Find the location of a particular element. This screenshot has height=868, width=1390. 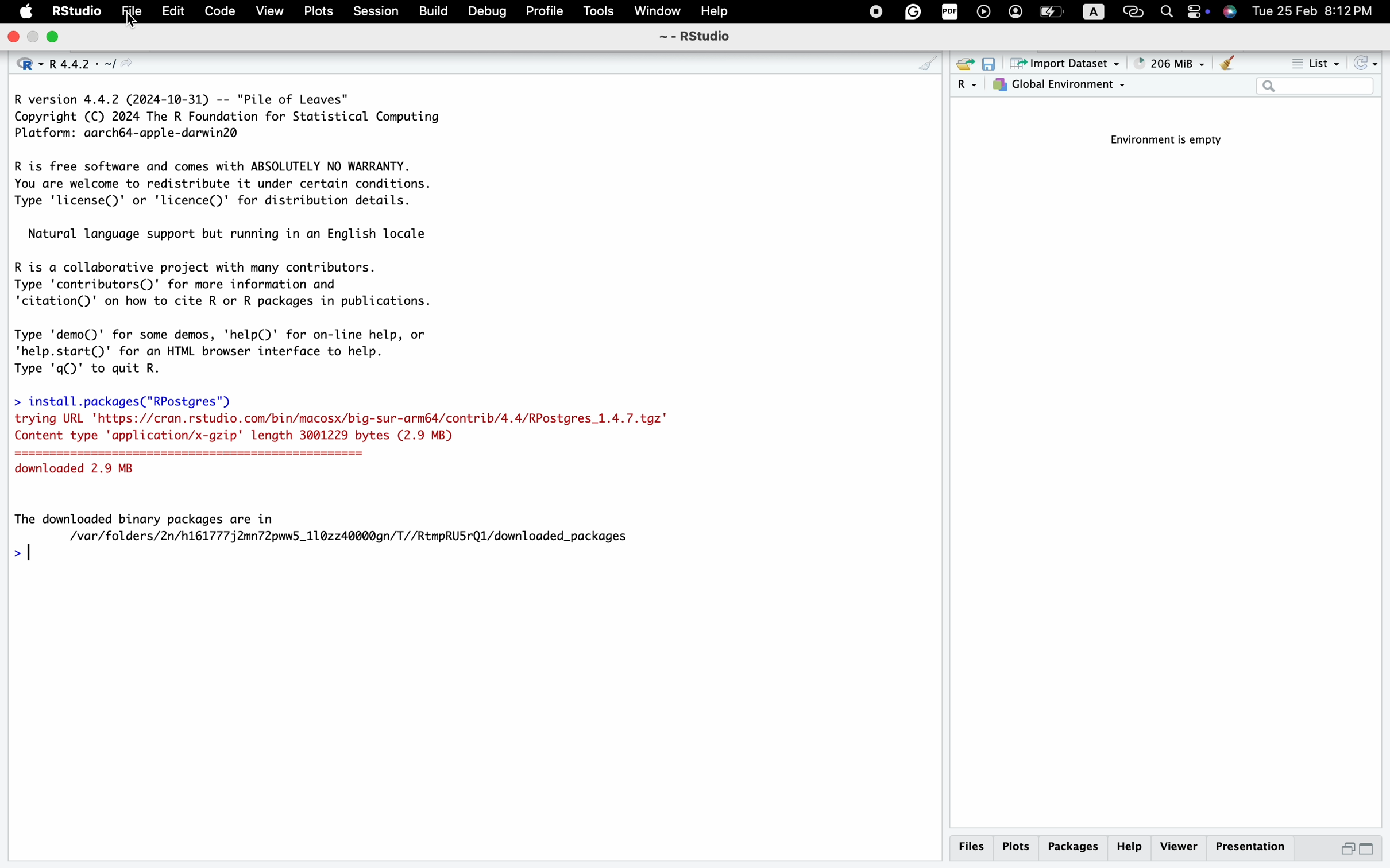

View is located at coordinates (269, 12).